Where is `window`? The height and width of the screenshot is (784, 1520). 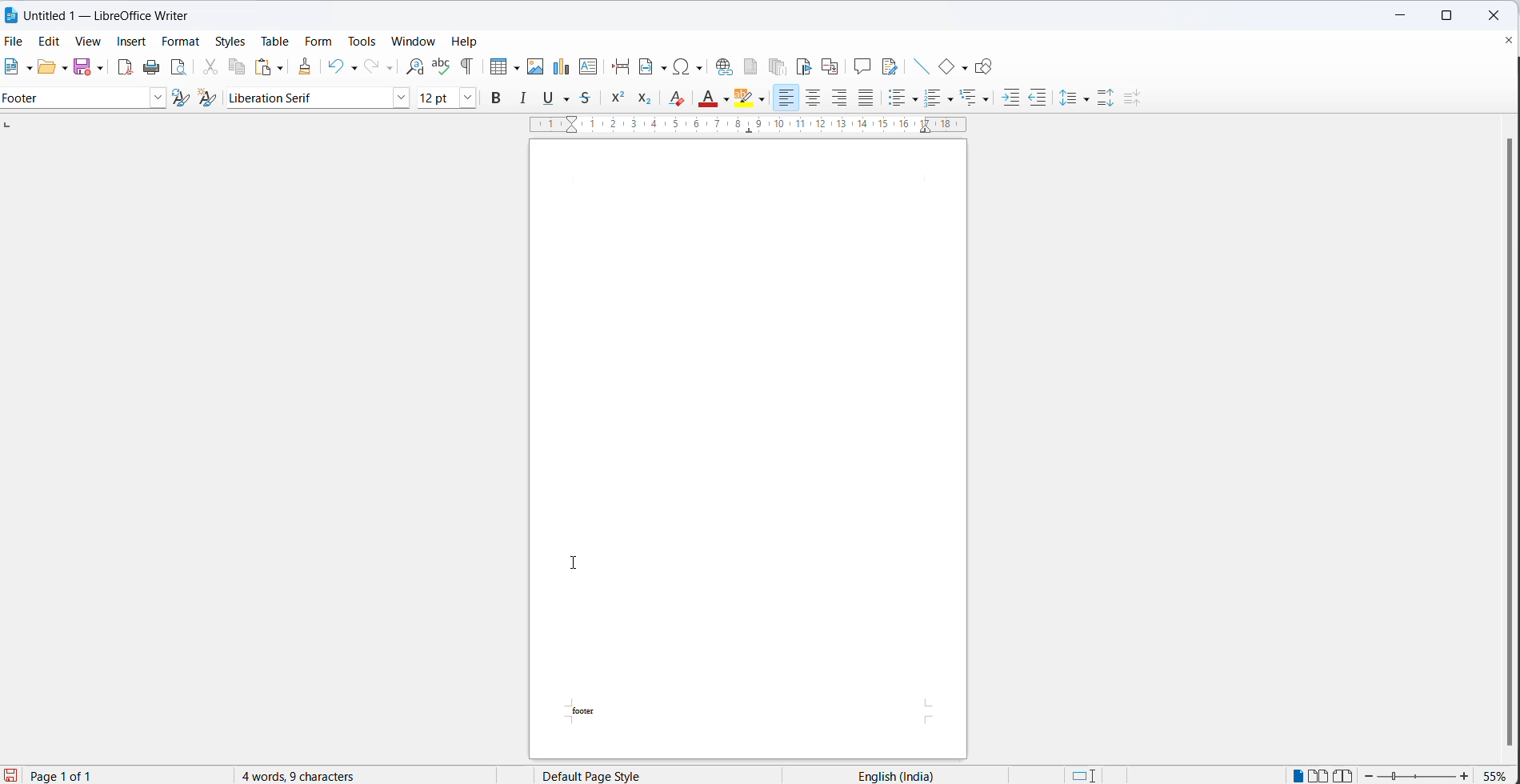 window is located at coordinates (414, 42).